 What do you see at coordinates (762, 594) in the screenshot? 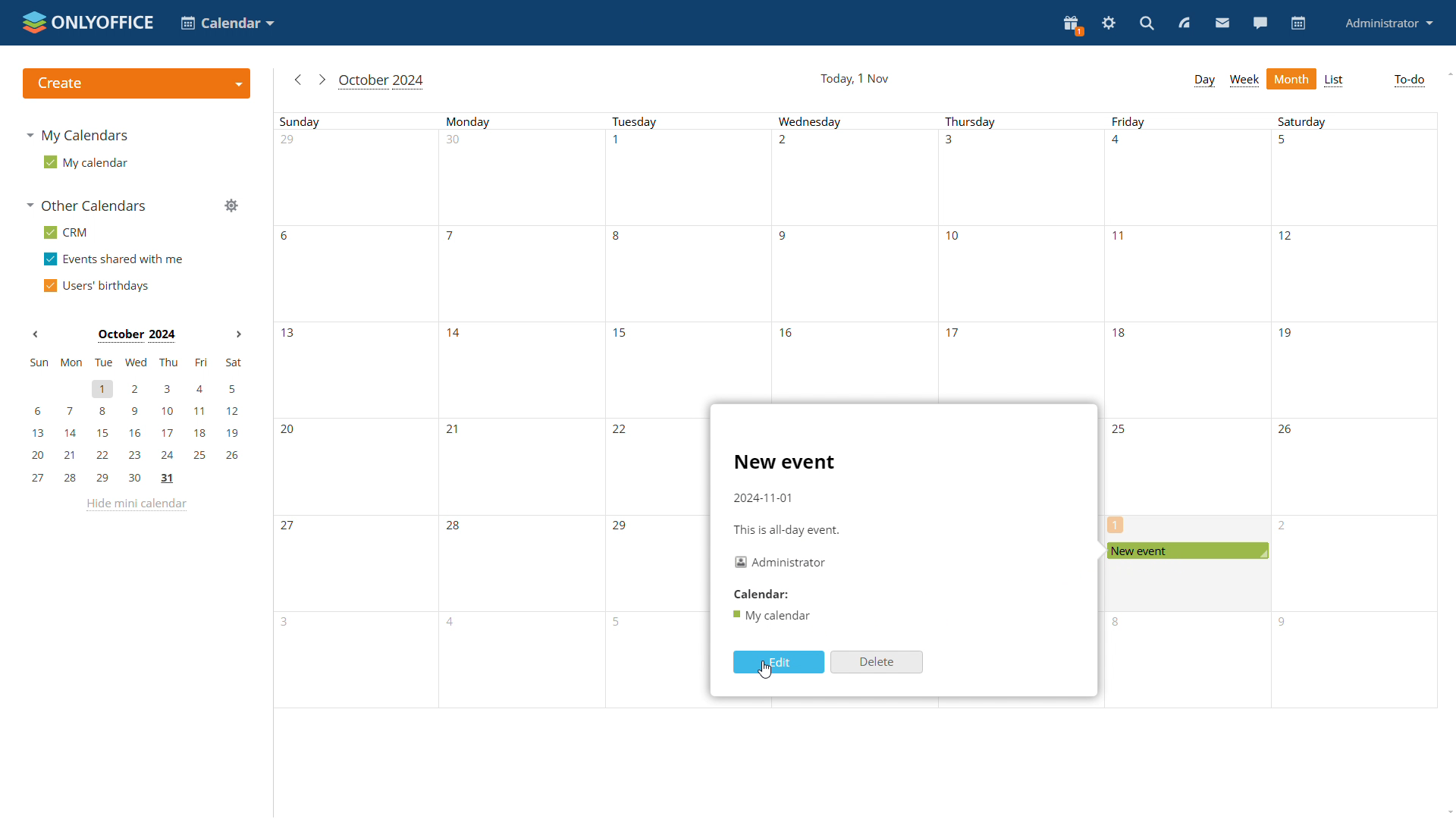
I see `` at bounding box center [762, 594].